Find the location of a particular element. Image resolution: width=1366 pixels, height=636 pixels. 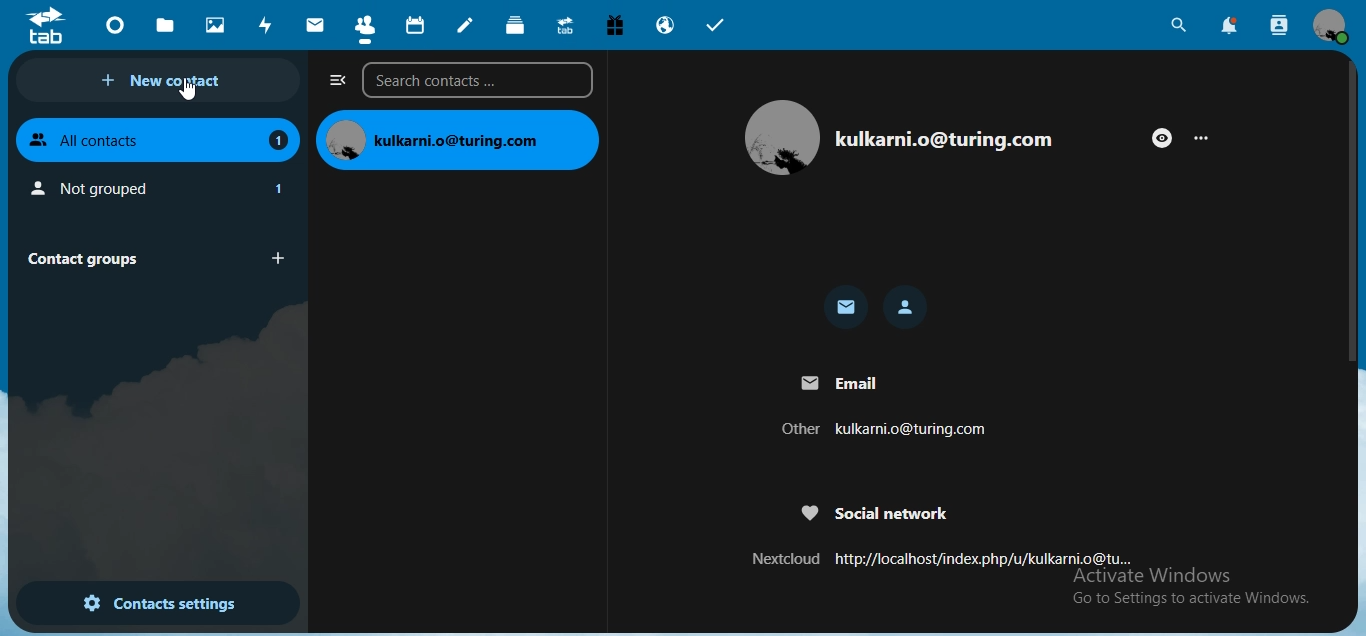

image is located at coordinates (909, 137).